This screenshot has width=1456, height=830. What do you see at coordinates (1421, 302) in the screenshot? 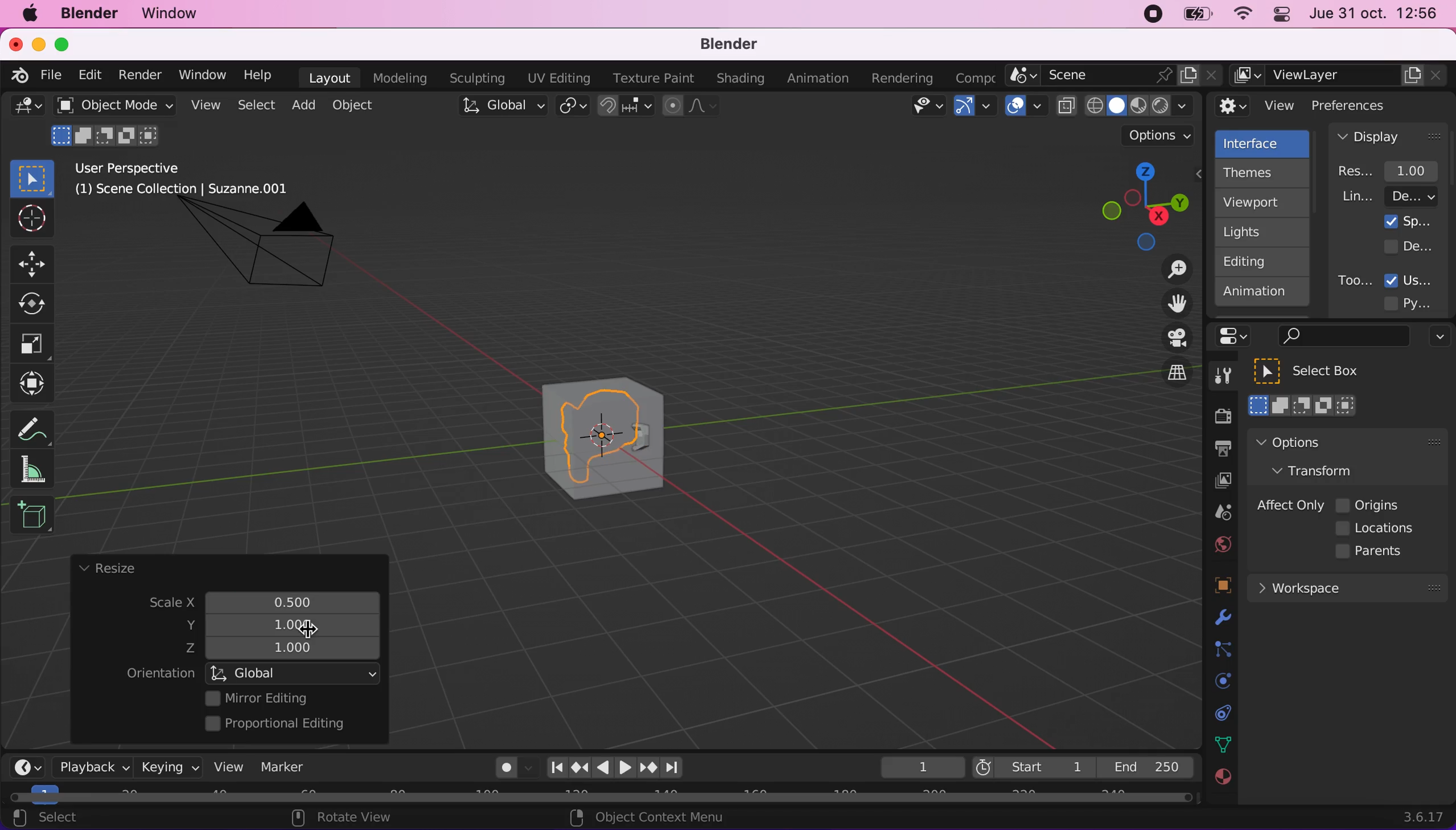
I see `python tooltips` at bounding box center [1421, 302].